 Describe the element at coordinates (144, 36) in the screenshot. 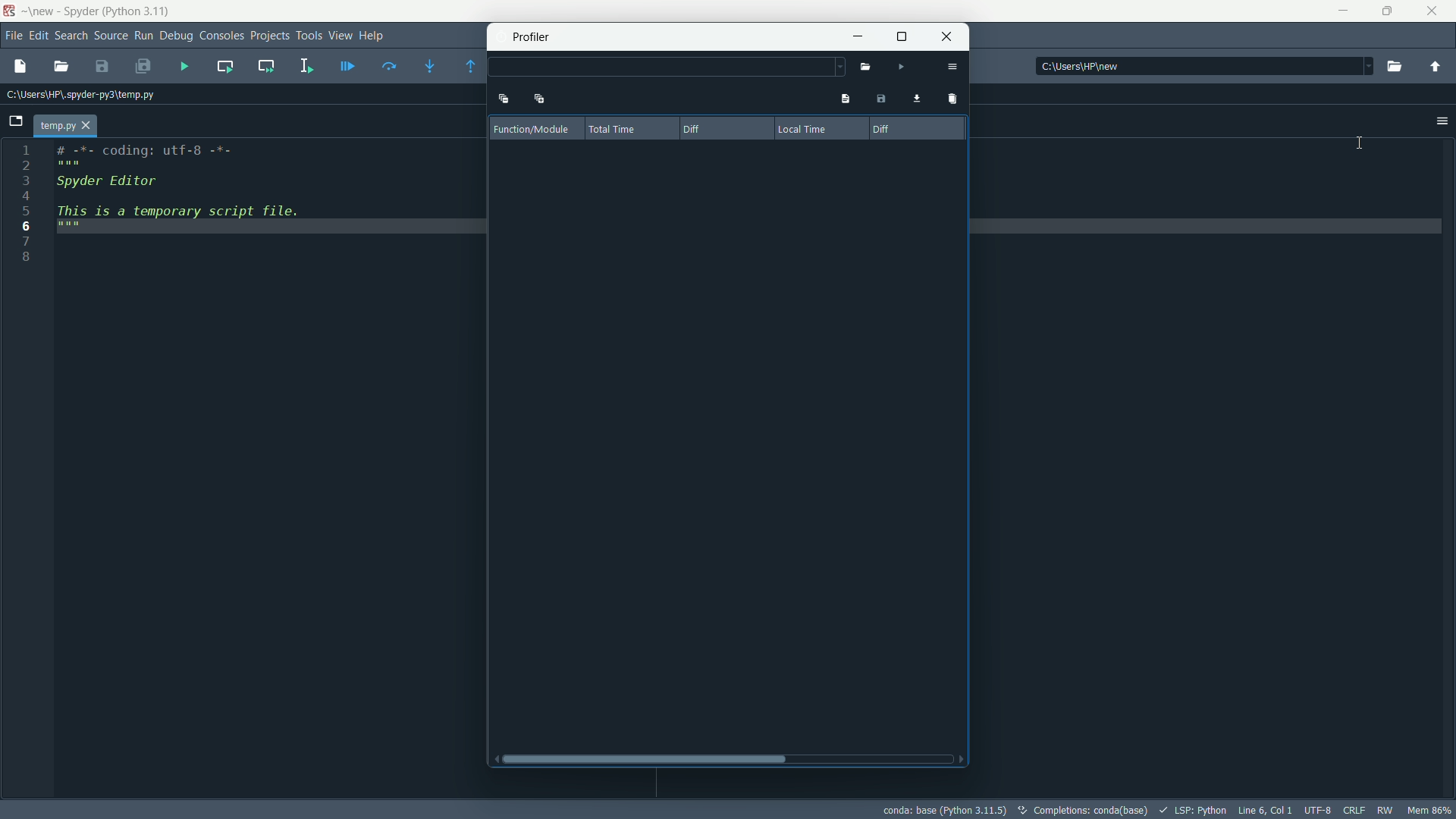

I see `run menu` at that location.